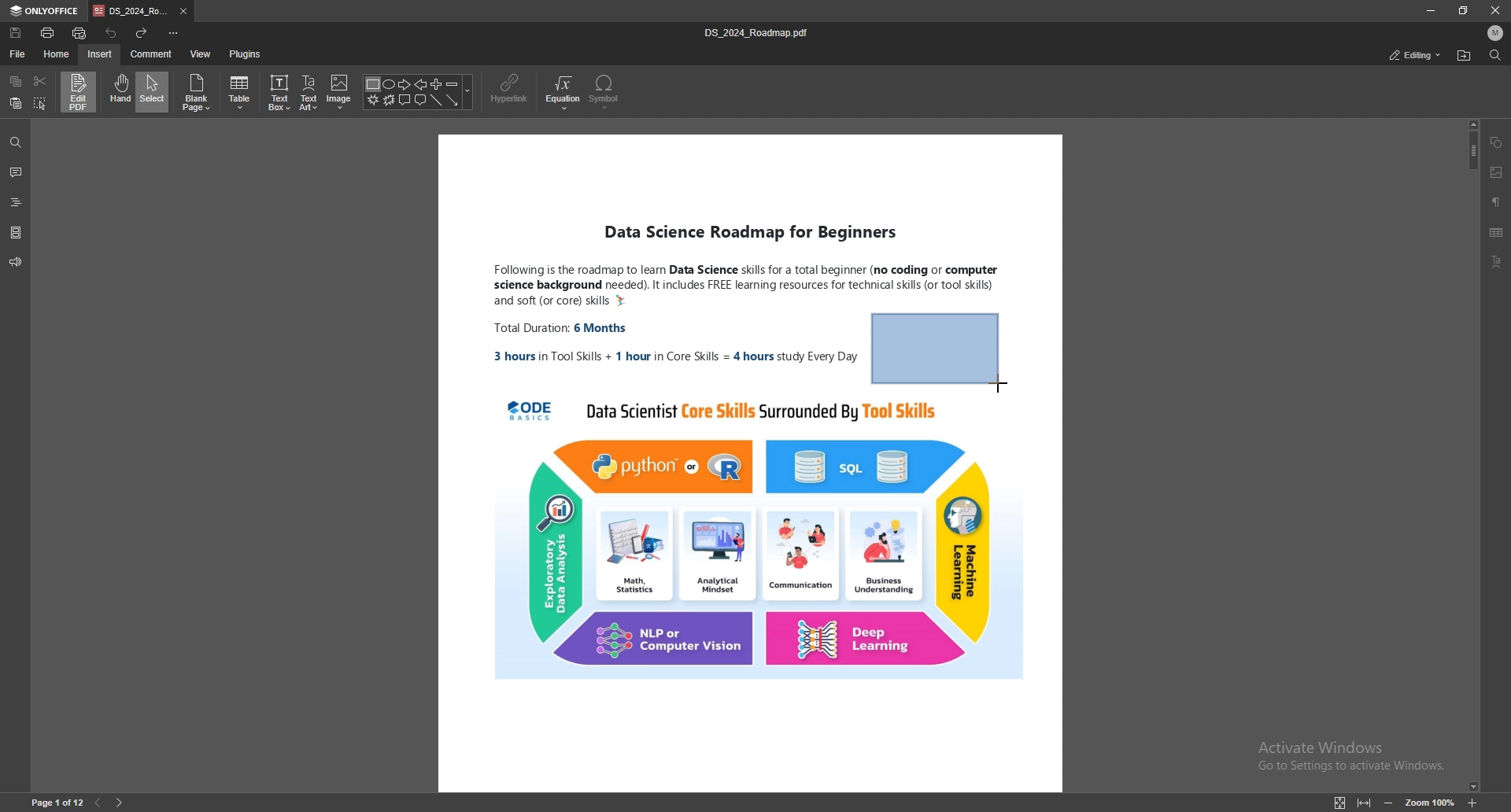  I want to click on zoom, so click(1432, 802).